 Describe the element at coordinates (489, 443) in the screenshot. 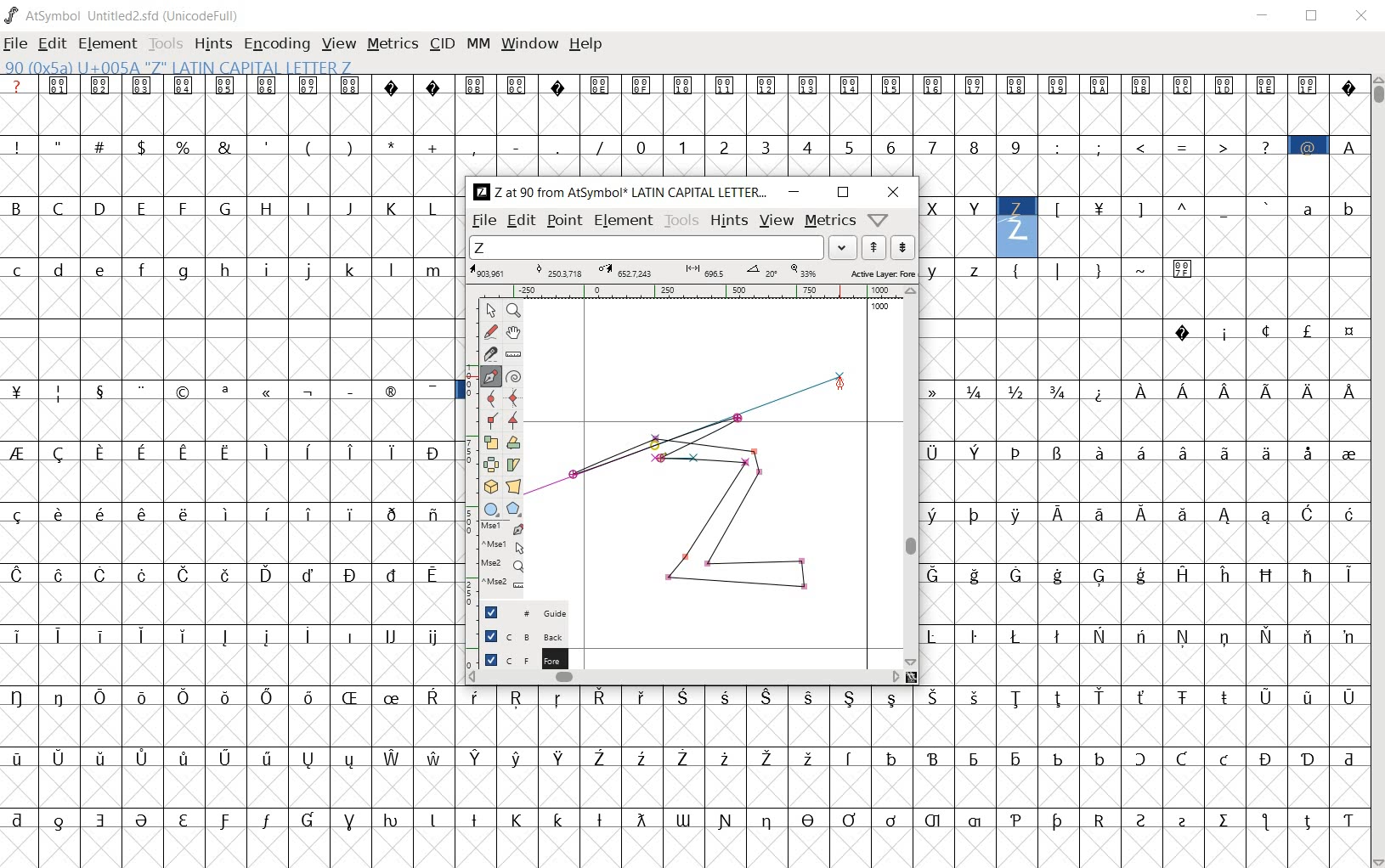

I see `scale the selection` at that location.